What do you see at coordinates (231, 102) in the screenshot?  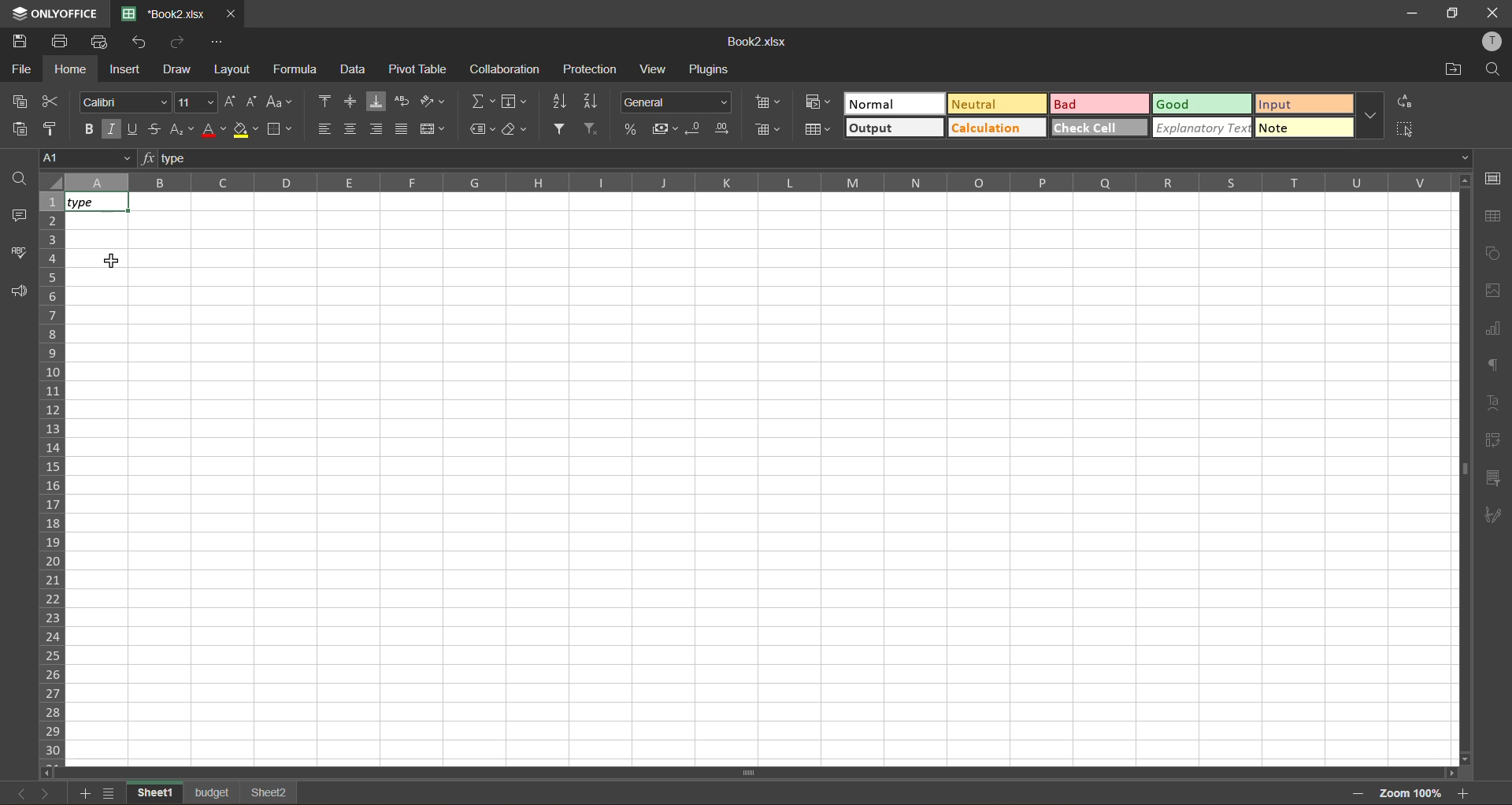 I see `increment size` at bounding box center [231, 102].